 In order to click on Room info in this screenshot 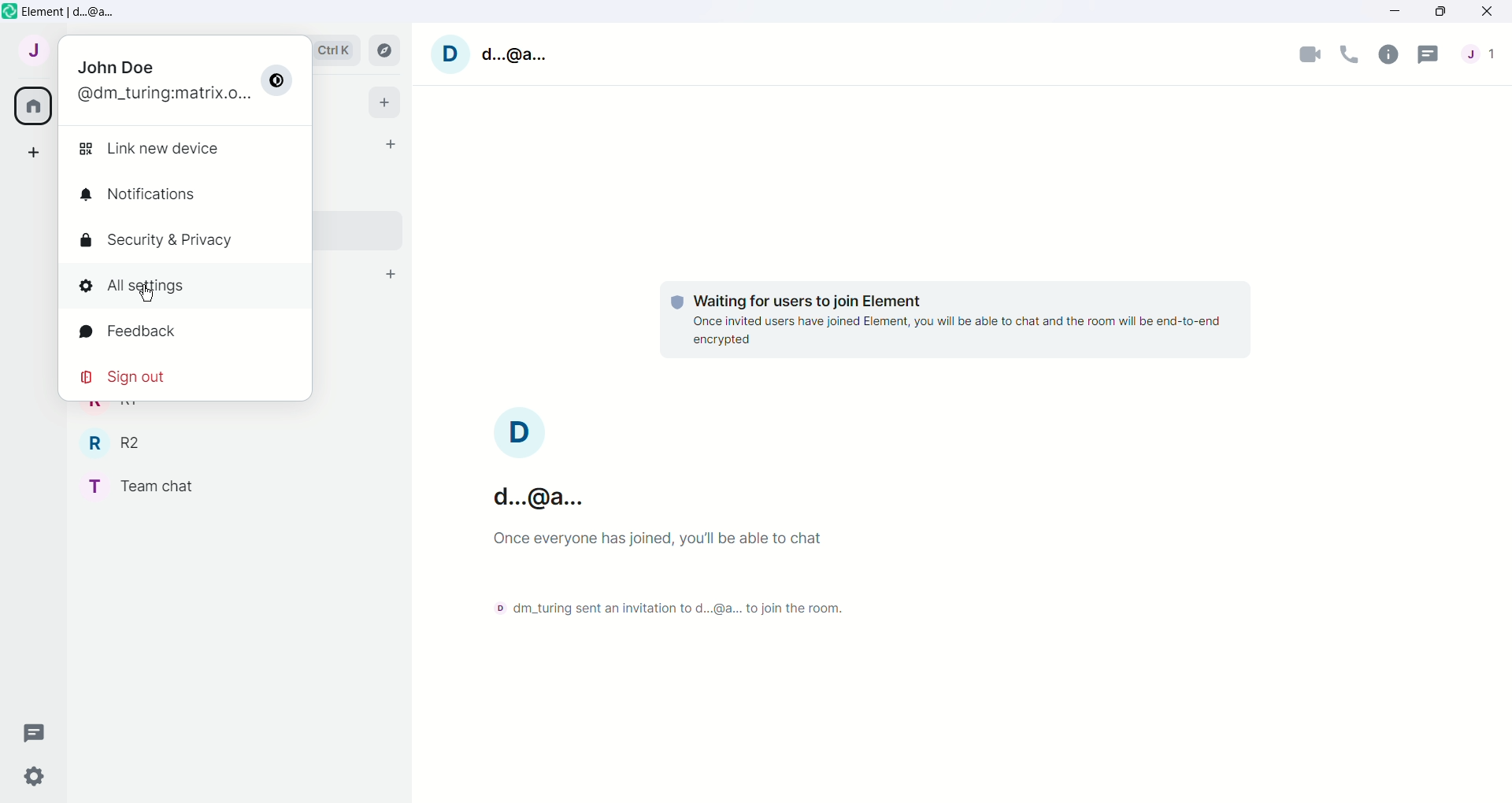, I will do `click(1388, 56)`.